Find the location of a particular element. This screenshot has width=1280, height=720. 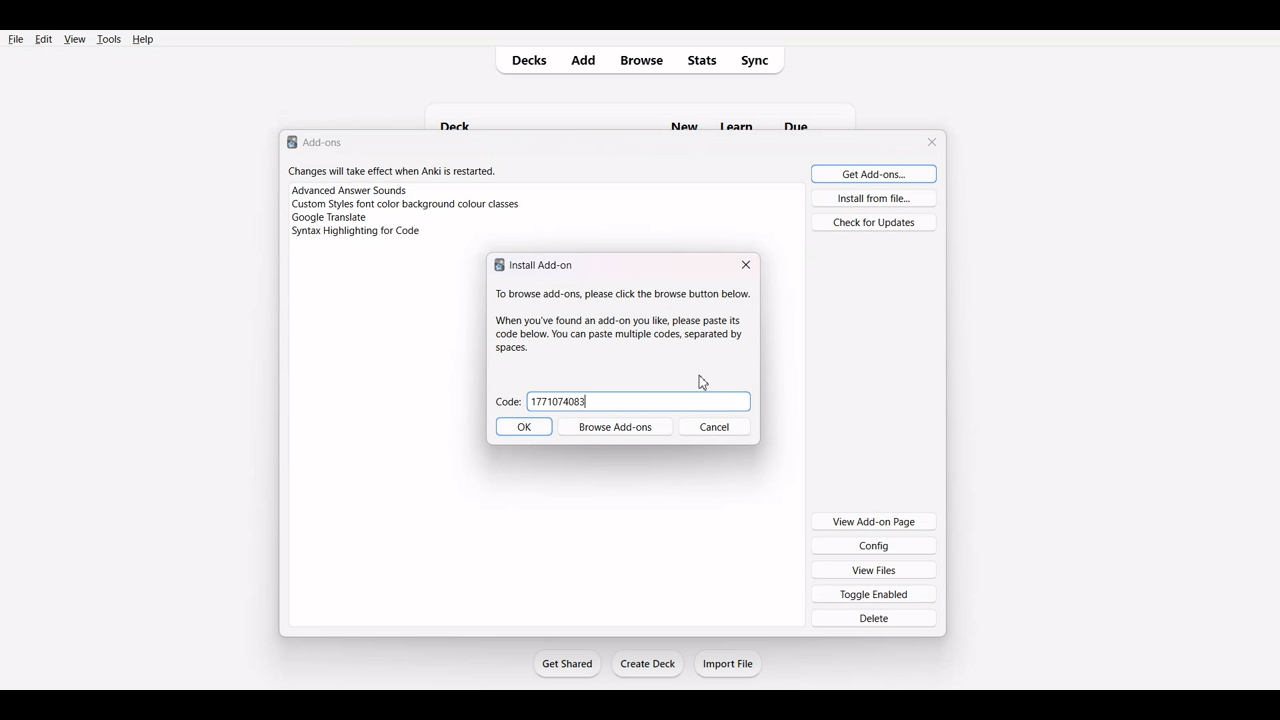

Text 1 is located at coordinates (316, 141).